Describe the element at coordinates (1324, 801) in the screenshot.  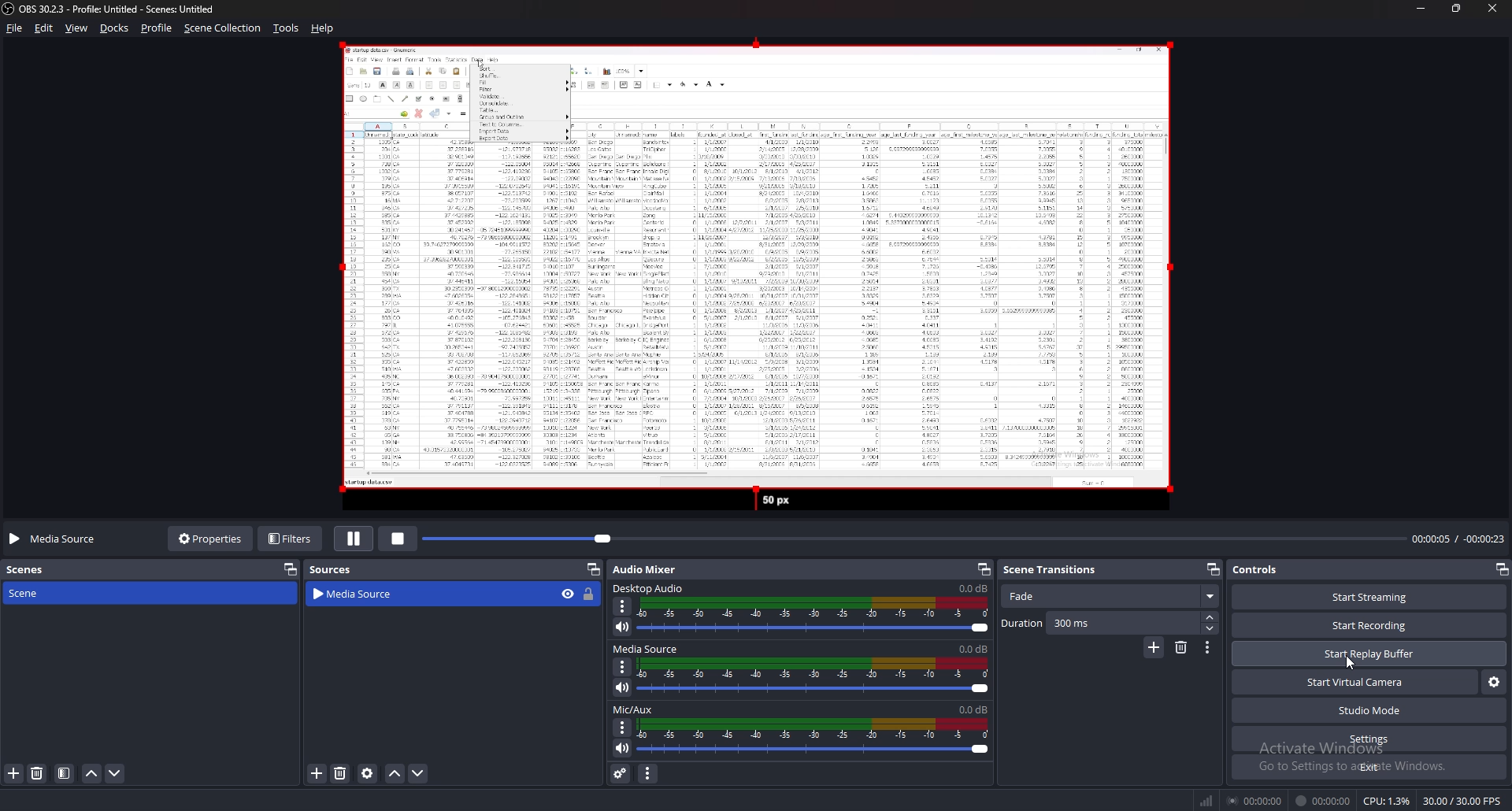
I see `00:00:00` at that location.